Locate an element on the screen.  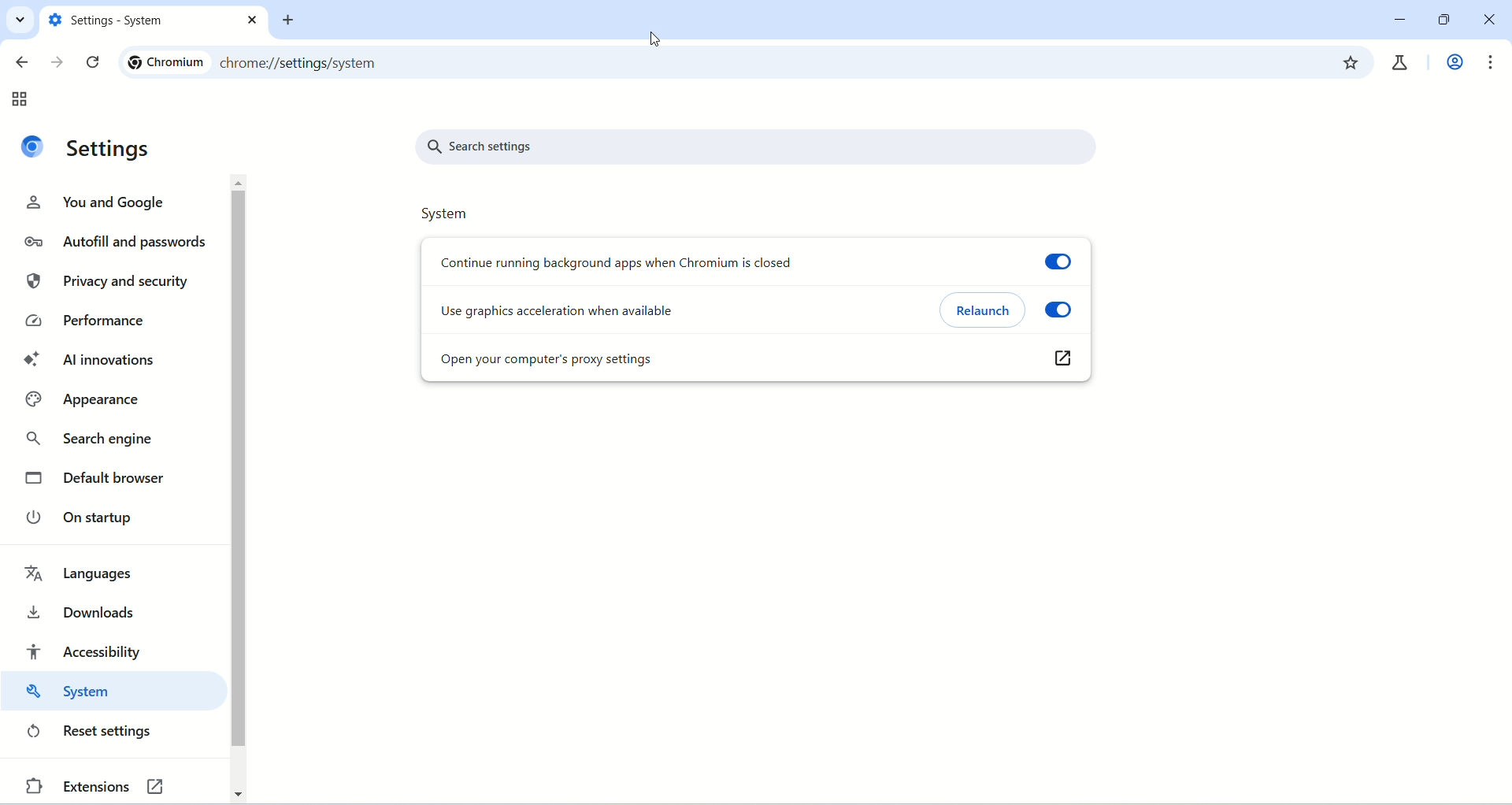
tab groups is located at coordinates (23, 100).